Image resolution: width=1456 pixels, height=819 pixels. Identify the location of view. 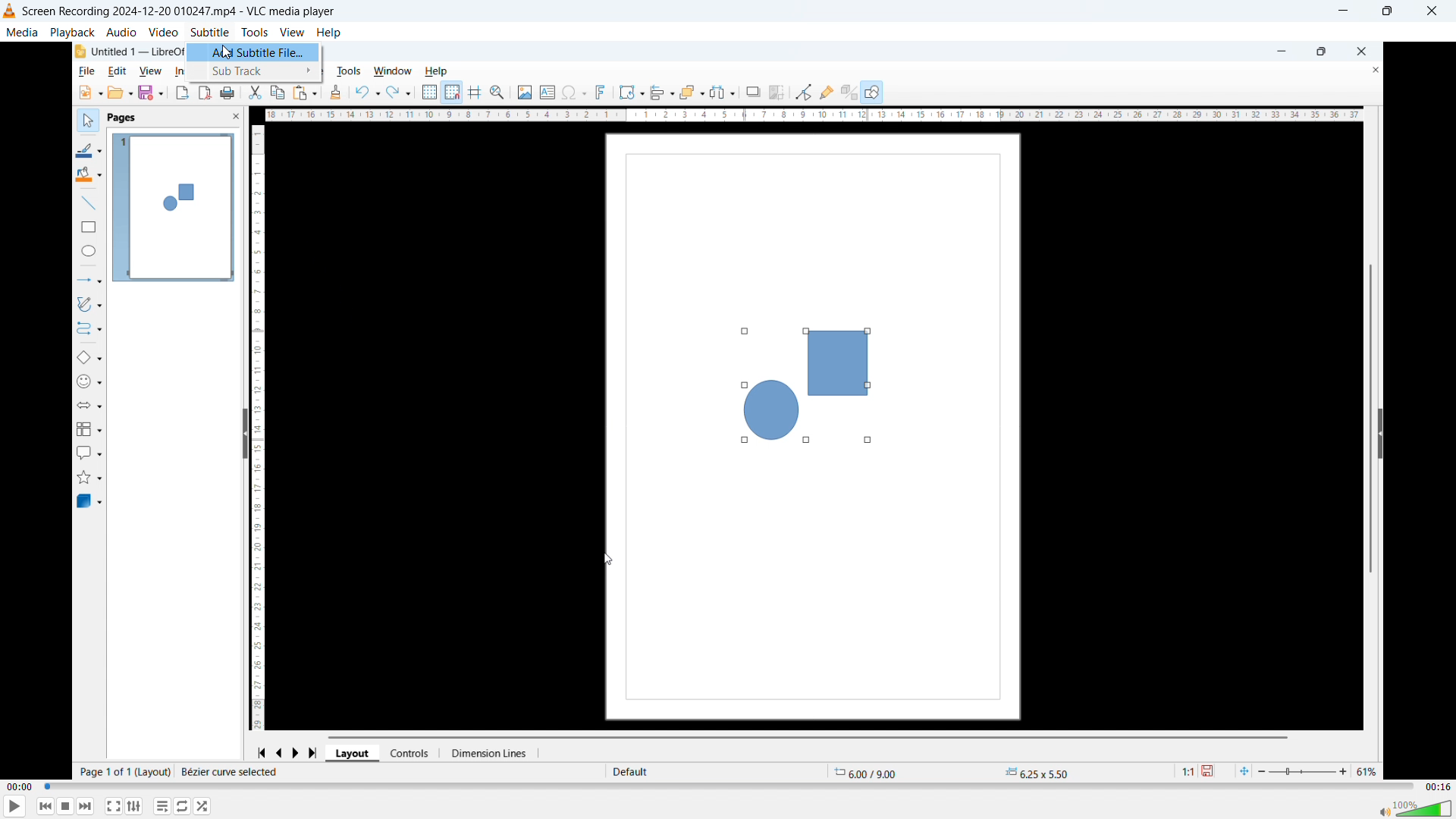
(149, 71).